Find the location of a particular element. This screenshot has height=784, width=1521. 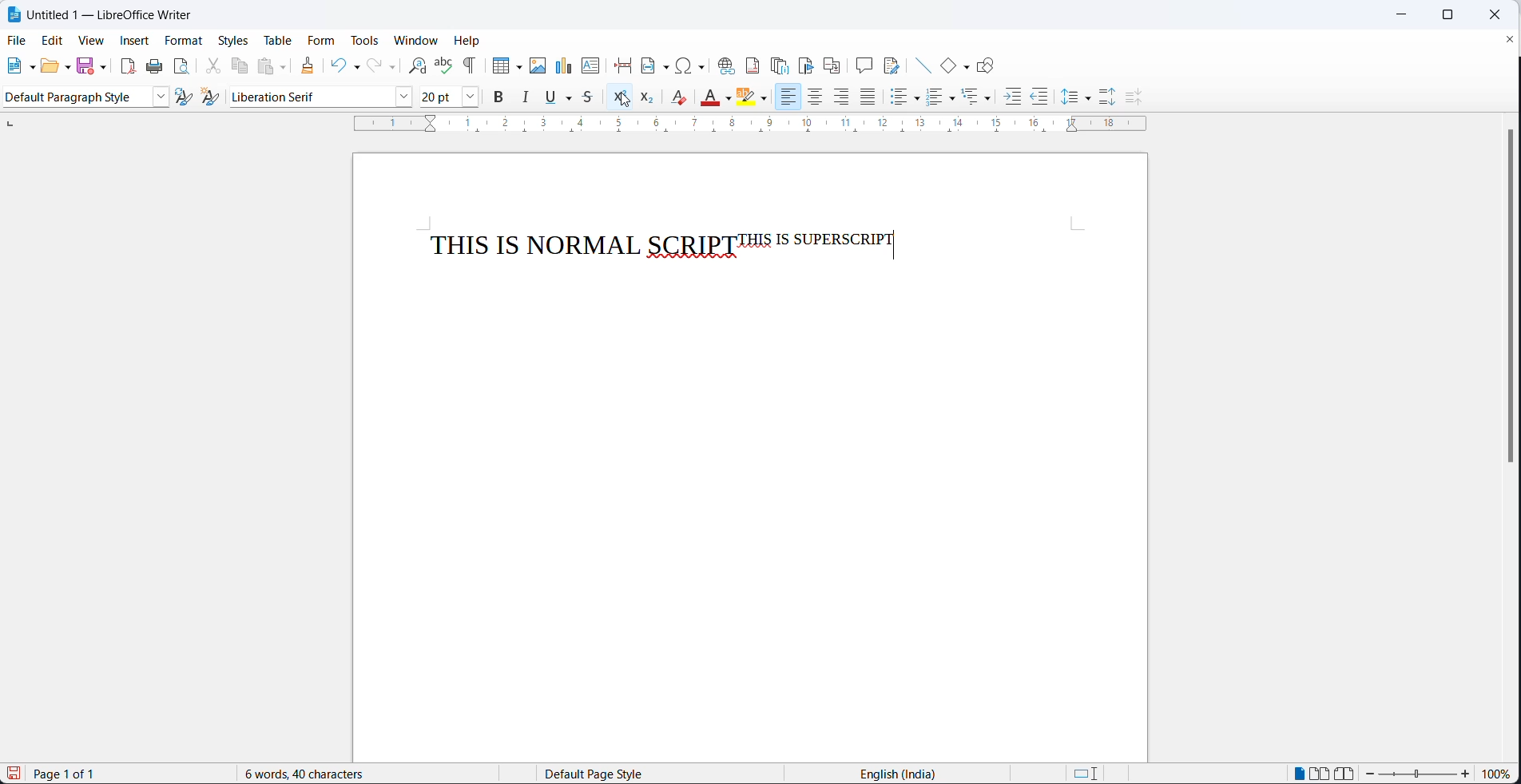

decrease paragraph space is located at coordinates (1131, 97).